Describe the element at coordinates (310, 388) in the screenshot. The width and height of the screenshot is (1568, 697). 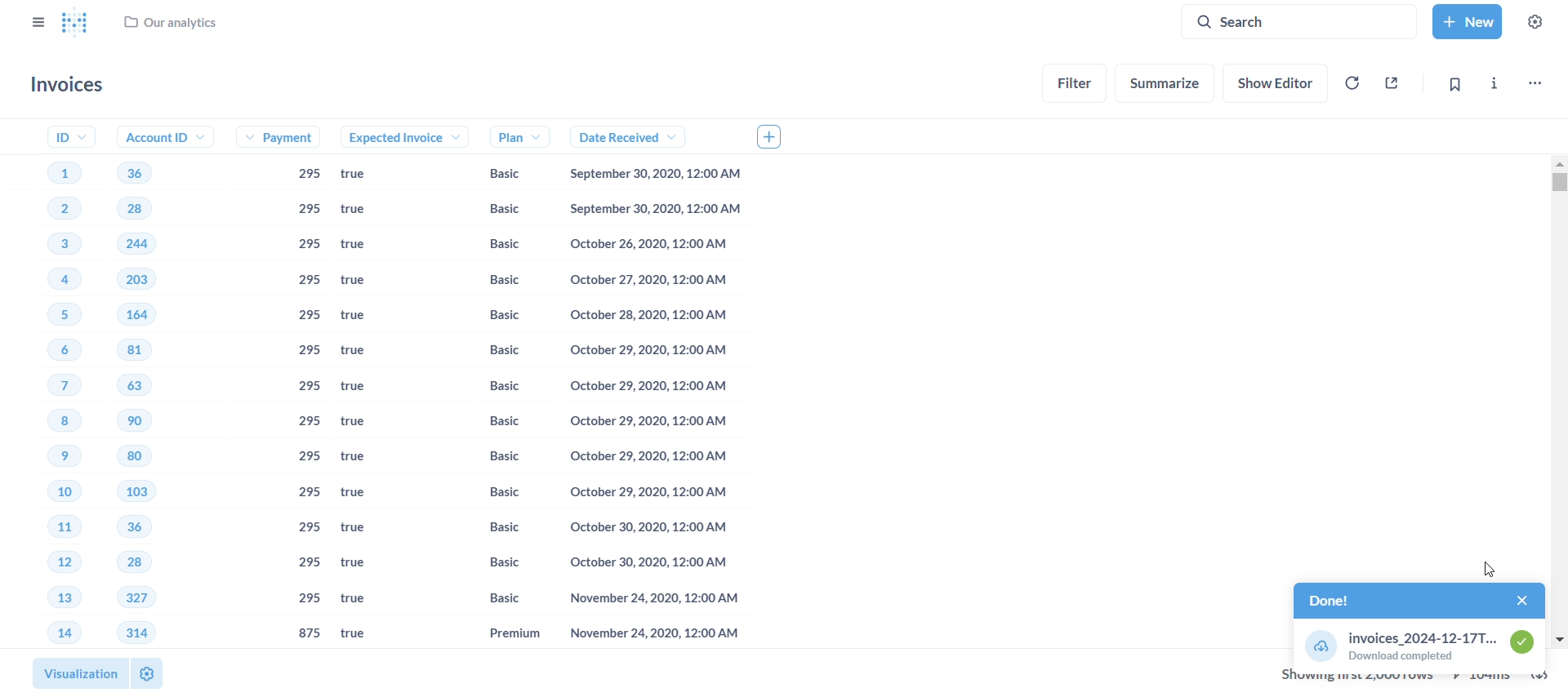
I see `295` at that location.